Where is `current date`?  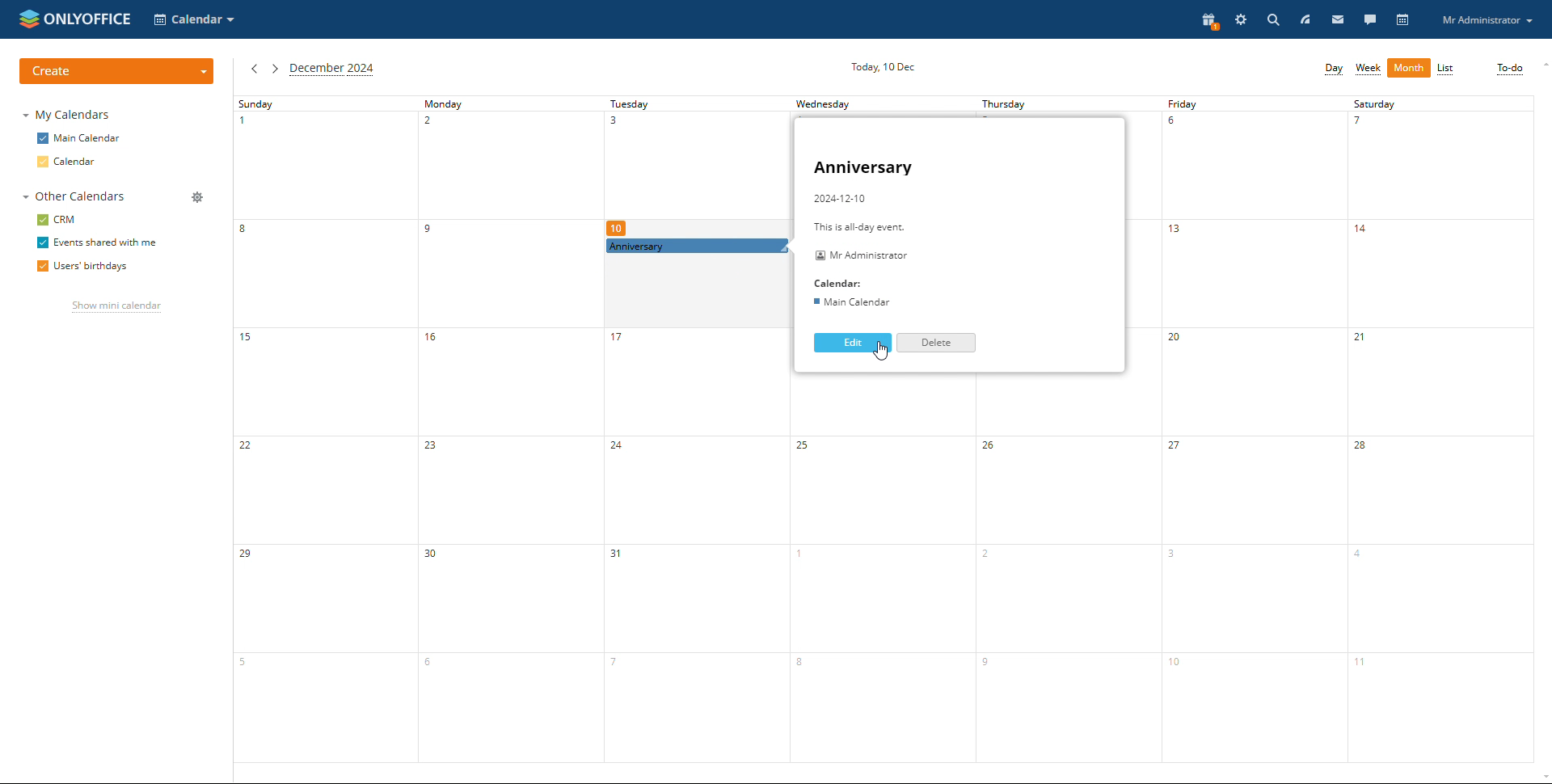 current date is located at coordinates (886, 65).